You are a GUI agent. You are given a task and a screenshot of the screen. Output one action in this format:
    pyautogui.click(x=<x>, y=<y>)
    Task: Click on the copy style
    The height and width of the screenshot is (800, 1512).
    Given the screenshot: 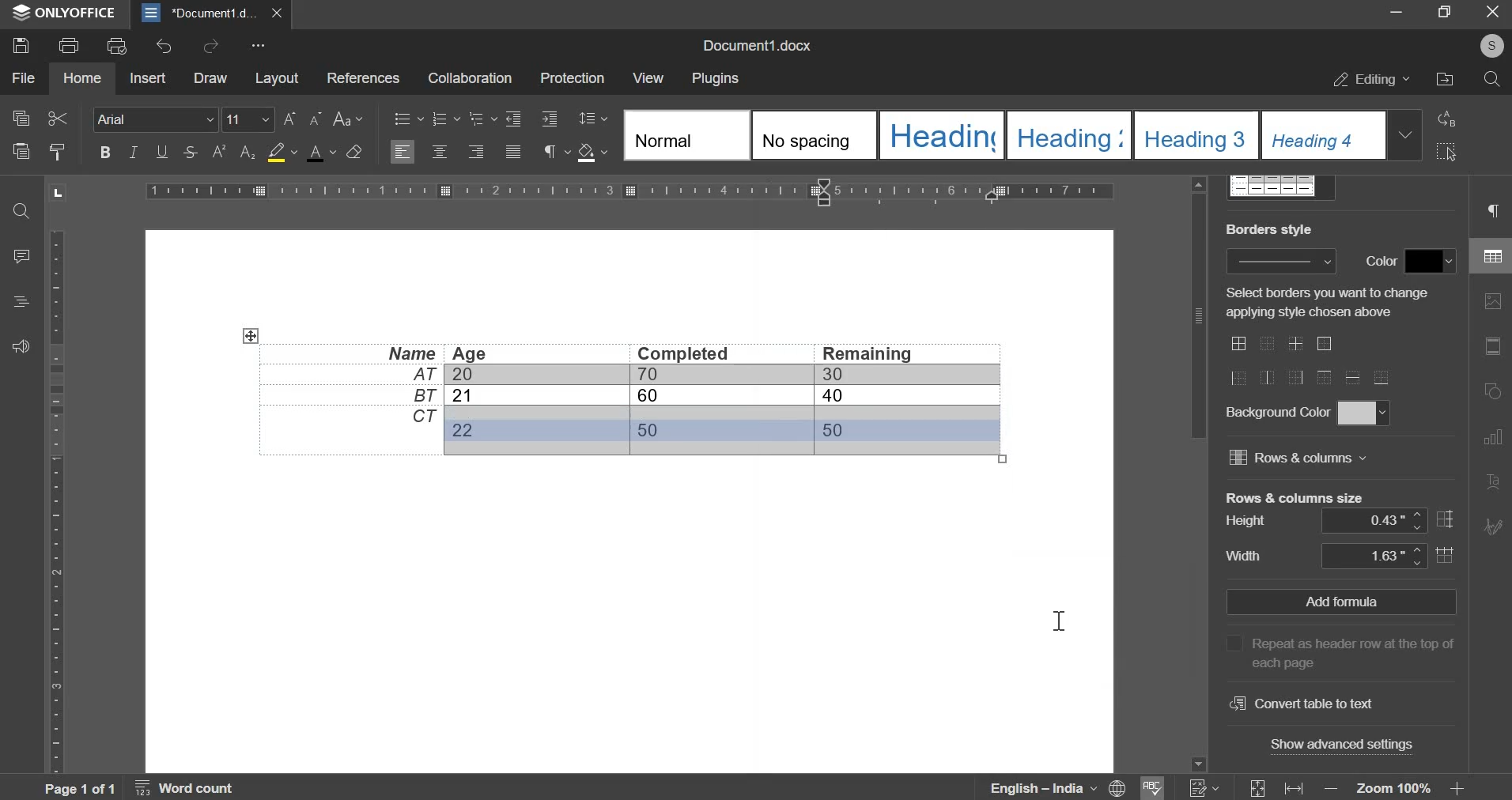 What is the action you would take?
    pyautogui.click(x=59, y=150)
    